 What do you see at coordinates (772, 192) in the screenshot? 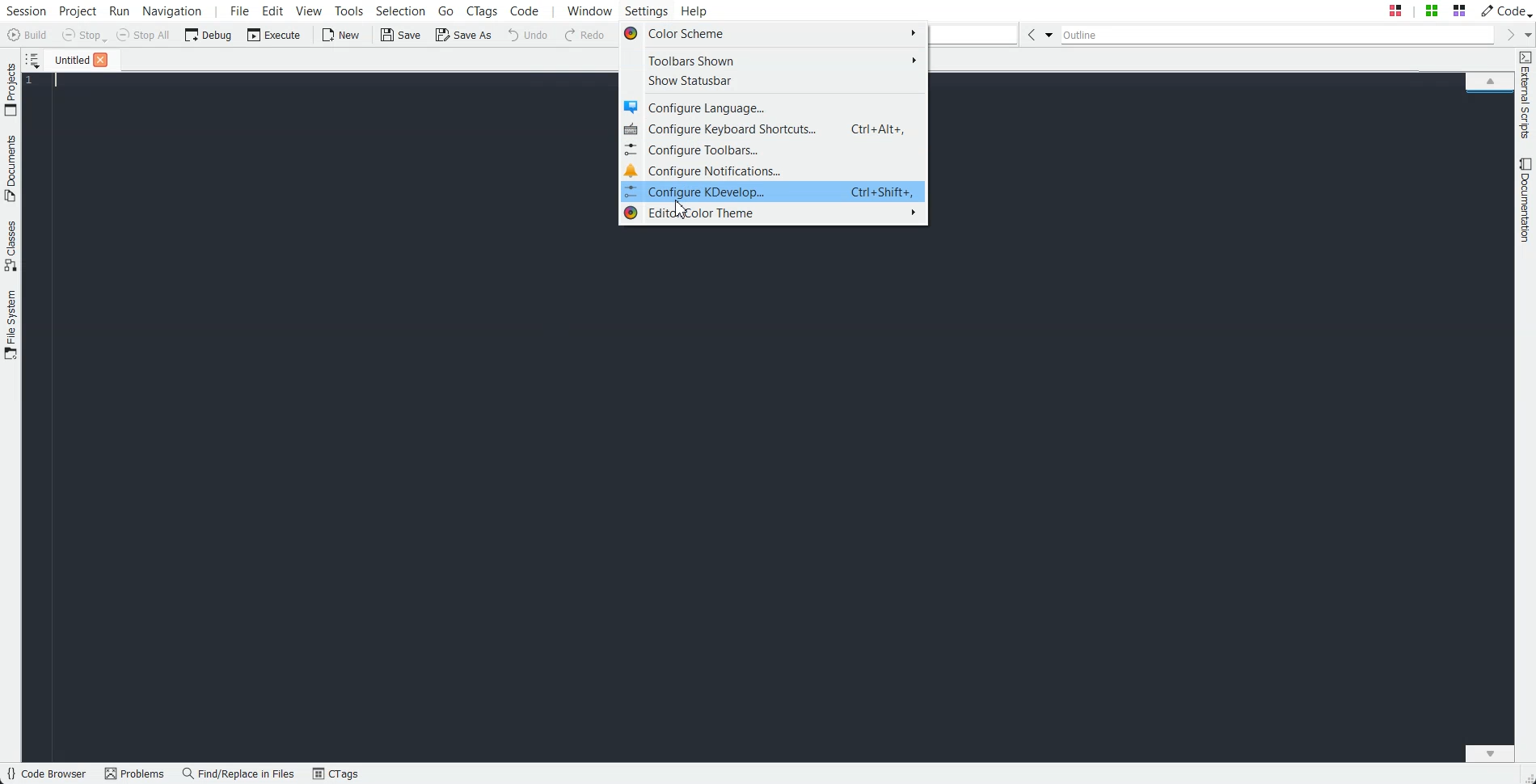
I see `Configure KDevelop` at bounding box center [772, 192].